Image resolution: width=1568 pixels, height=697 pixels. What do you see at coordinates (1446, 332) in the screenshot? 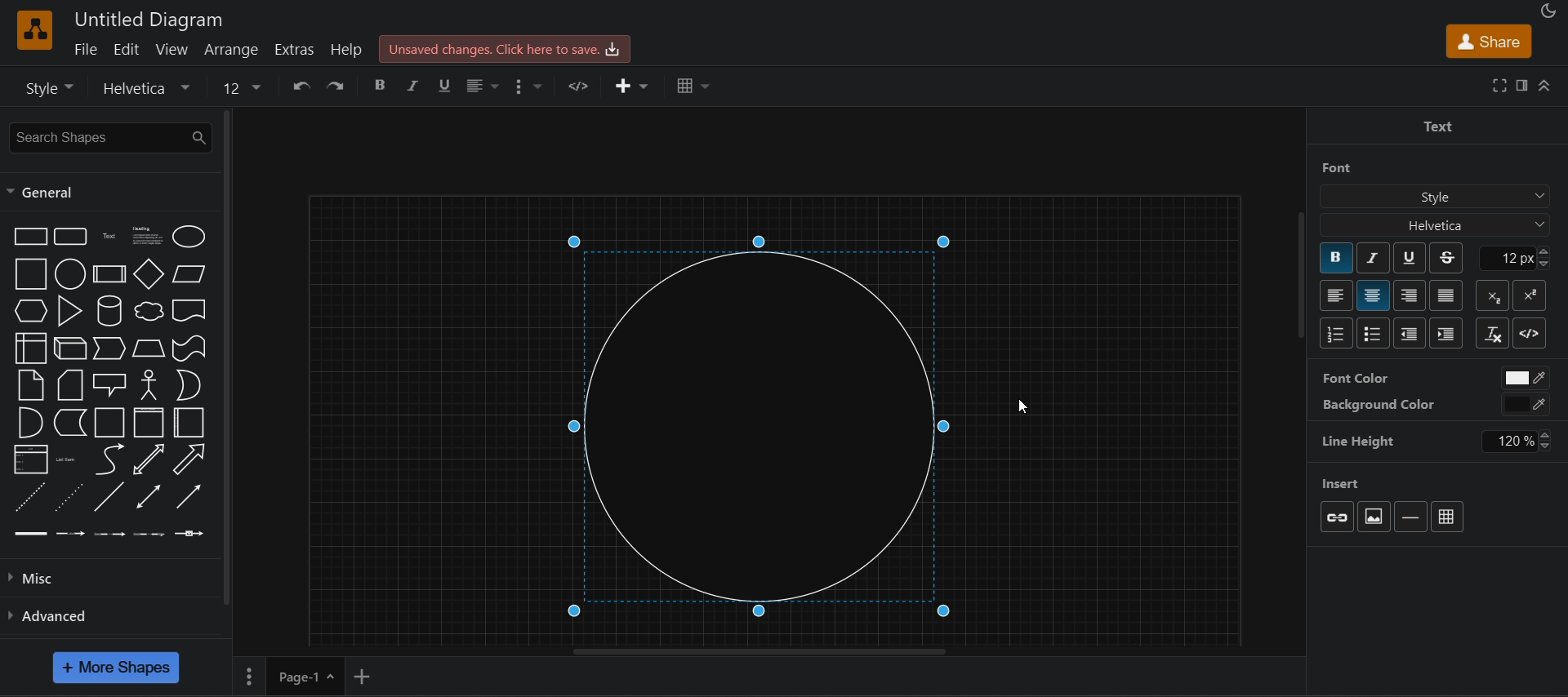
I see `increase indent` at bounding box center [1446, 332].